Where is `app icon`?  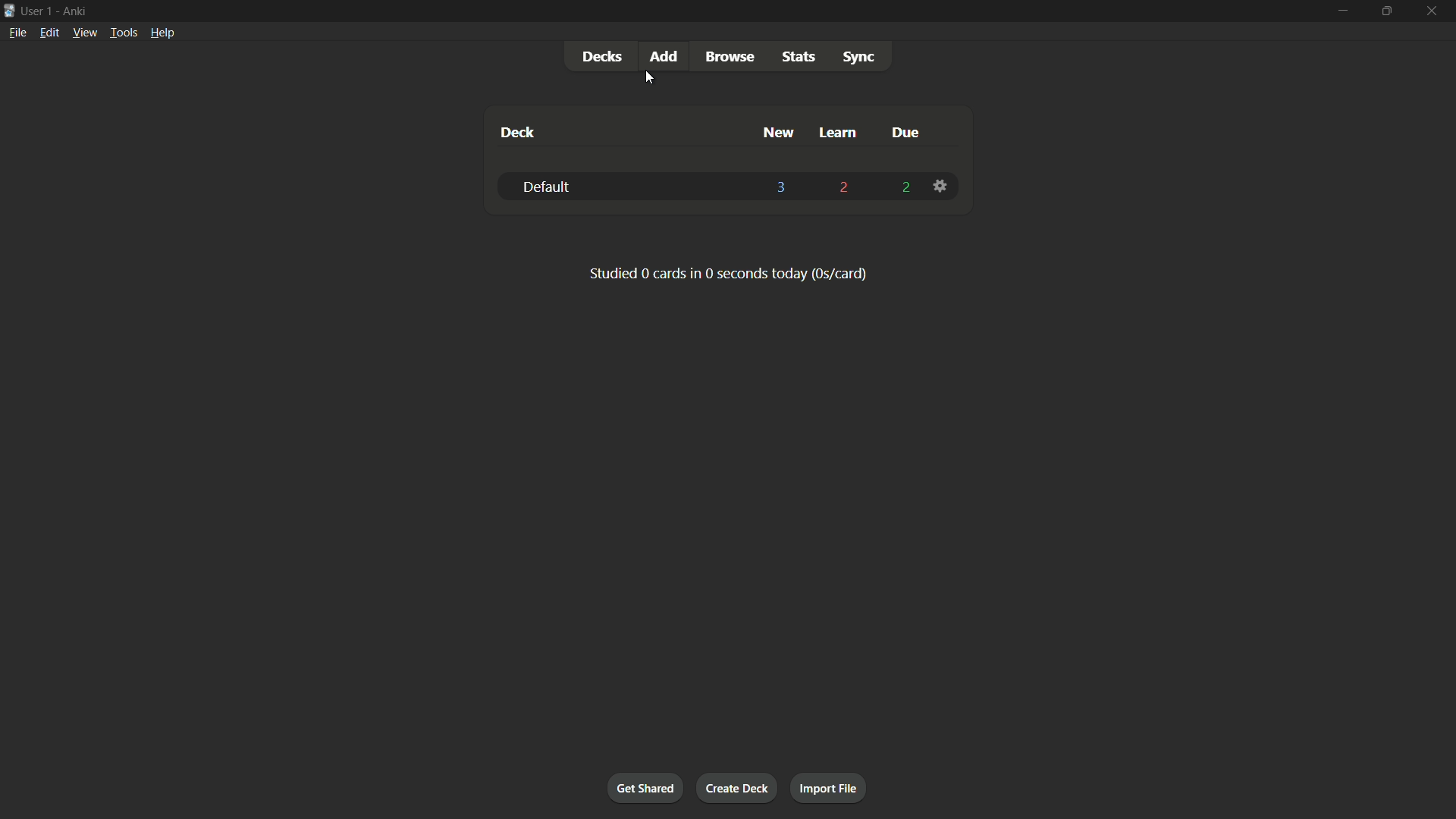
app icon is located at coordinates (9, 9).